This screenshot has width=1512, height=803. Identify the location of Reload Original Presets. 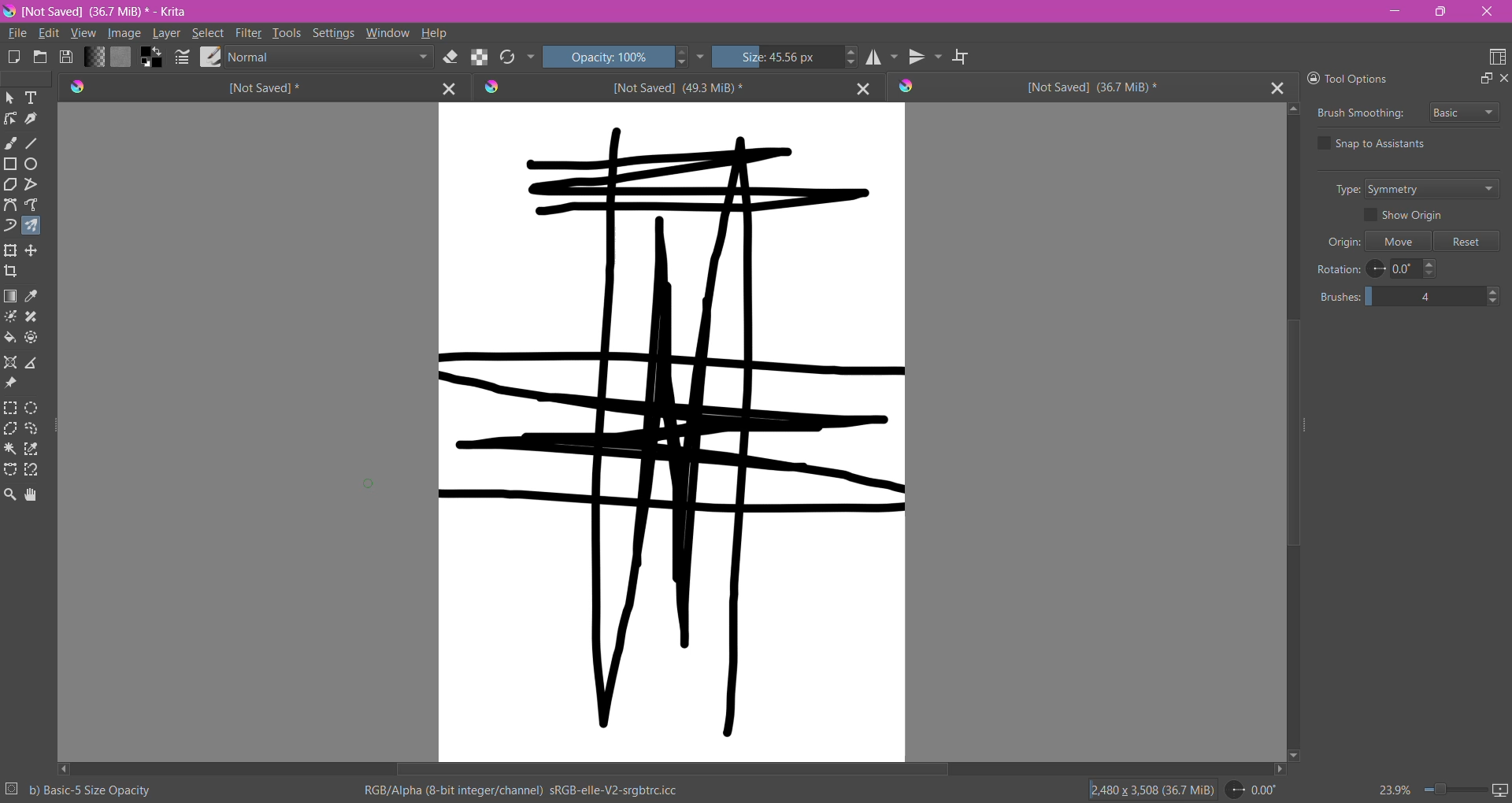
(506, 57).